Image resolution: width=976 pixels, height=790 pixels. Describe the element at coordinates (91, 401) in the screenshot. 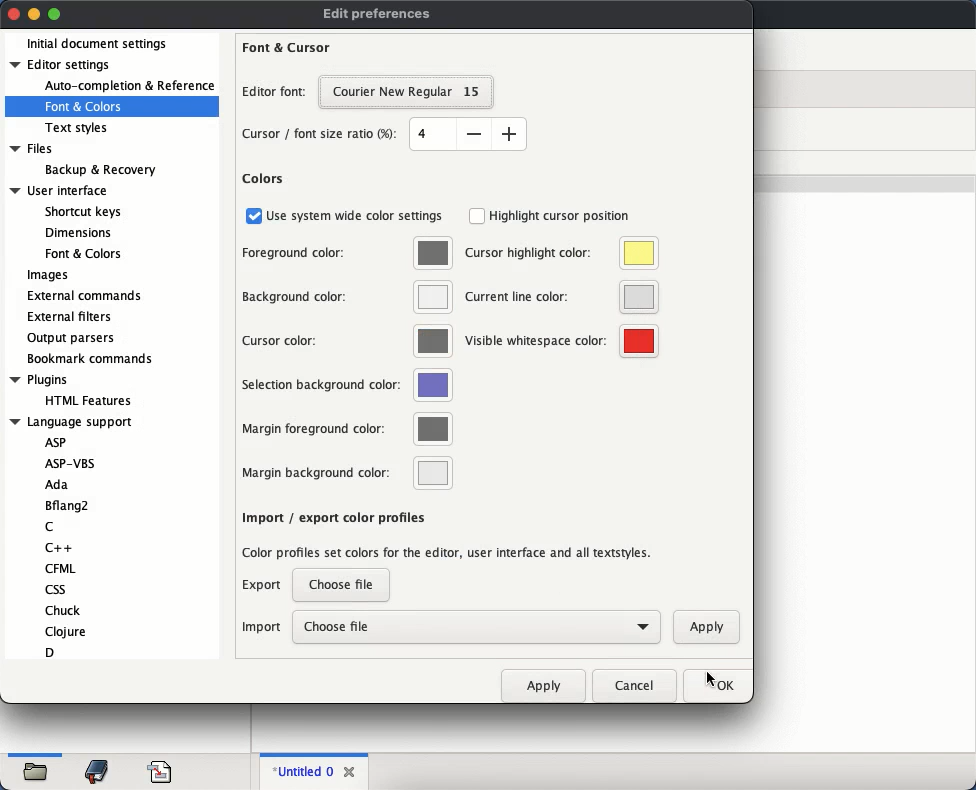

I see `HTML features` at that location.